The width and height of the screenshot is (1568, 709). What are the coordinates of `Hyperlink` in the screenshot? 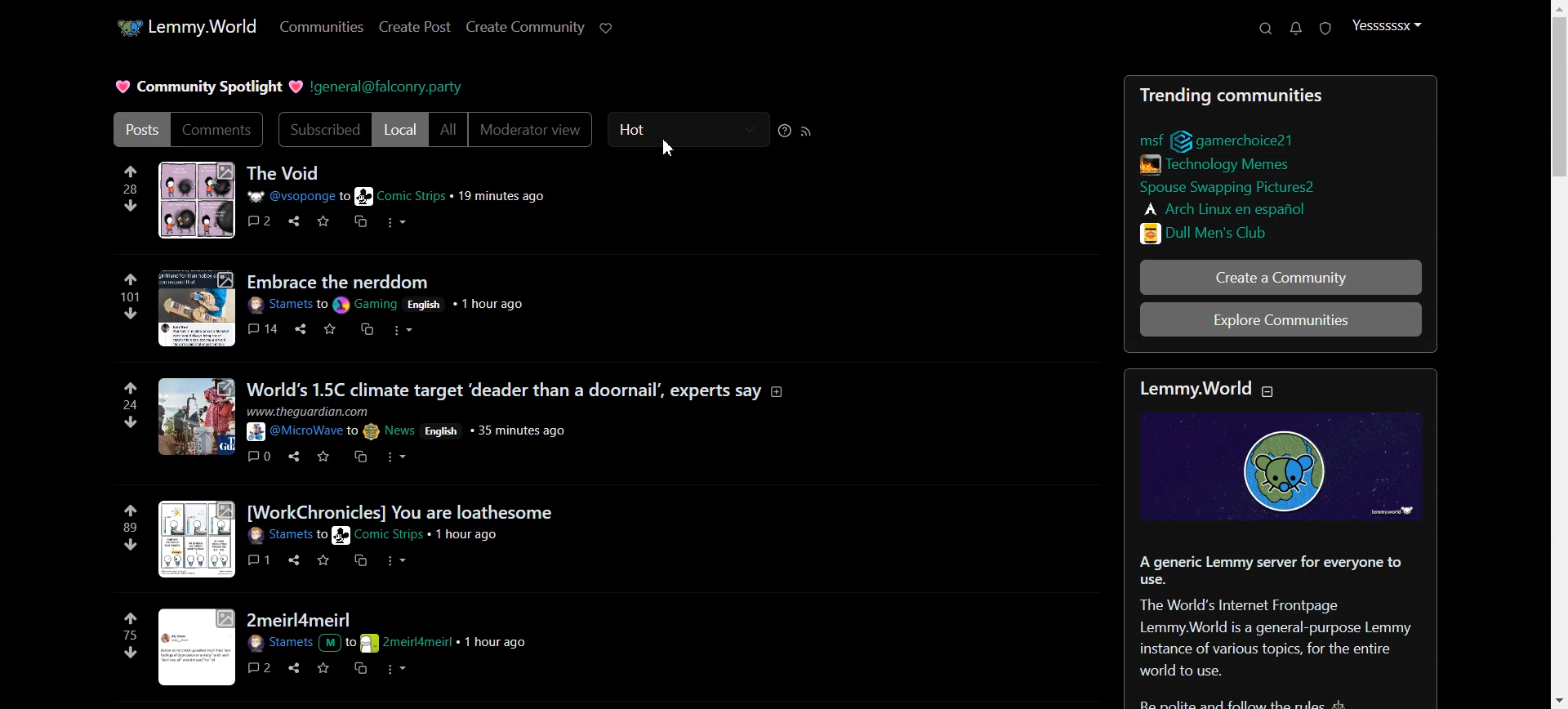 It's located at (389, 88).